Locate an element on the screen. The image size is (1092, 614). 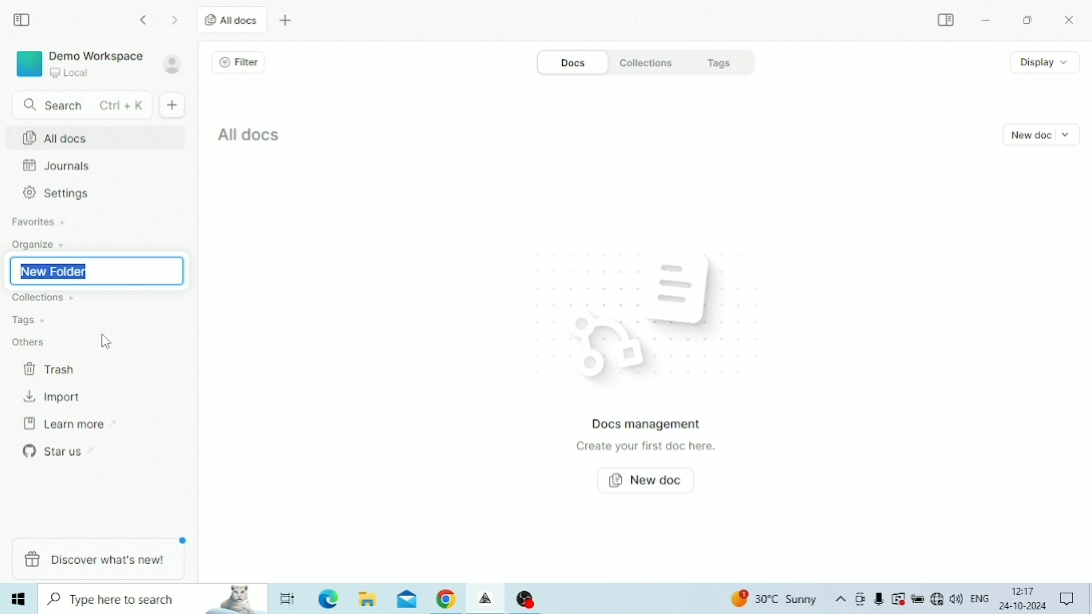
Account is located at coordinates (173, 64).